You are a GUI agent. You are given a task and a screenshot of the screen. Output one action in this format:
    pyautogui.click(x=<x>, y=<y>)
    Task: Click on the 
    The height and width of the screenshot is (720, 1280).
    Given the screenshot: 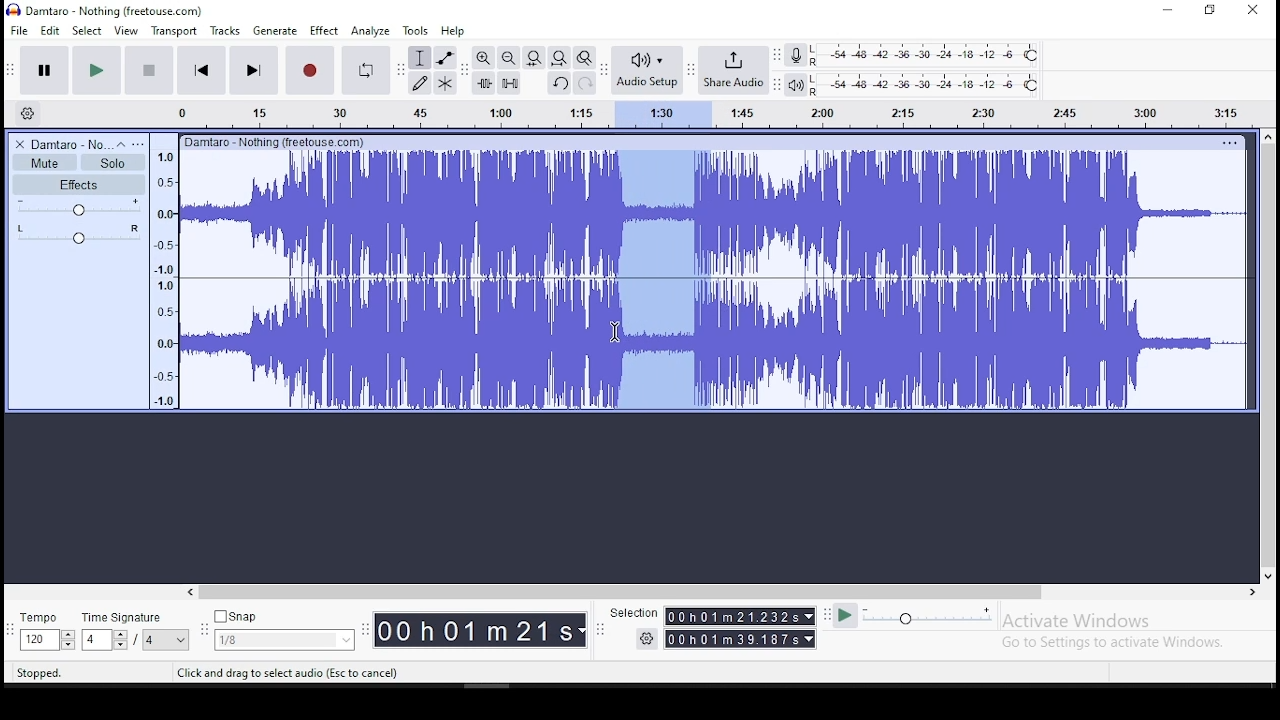 What is the action you would take?
    pyautogui.click(x=277, y=141)
    